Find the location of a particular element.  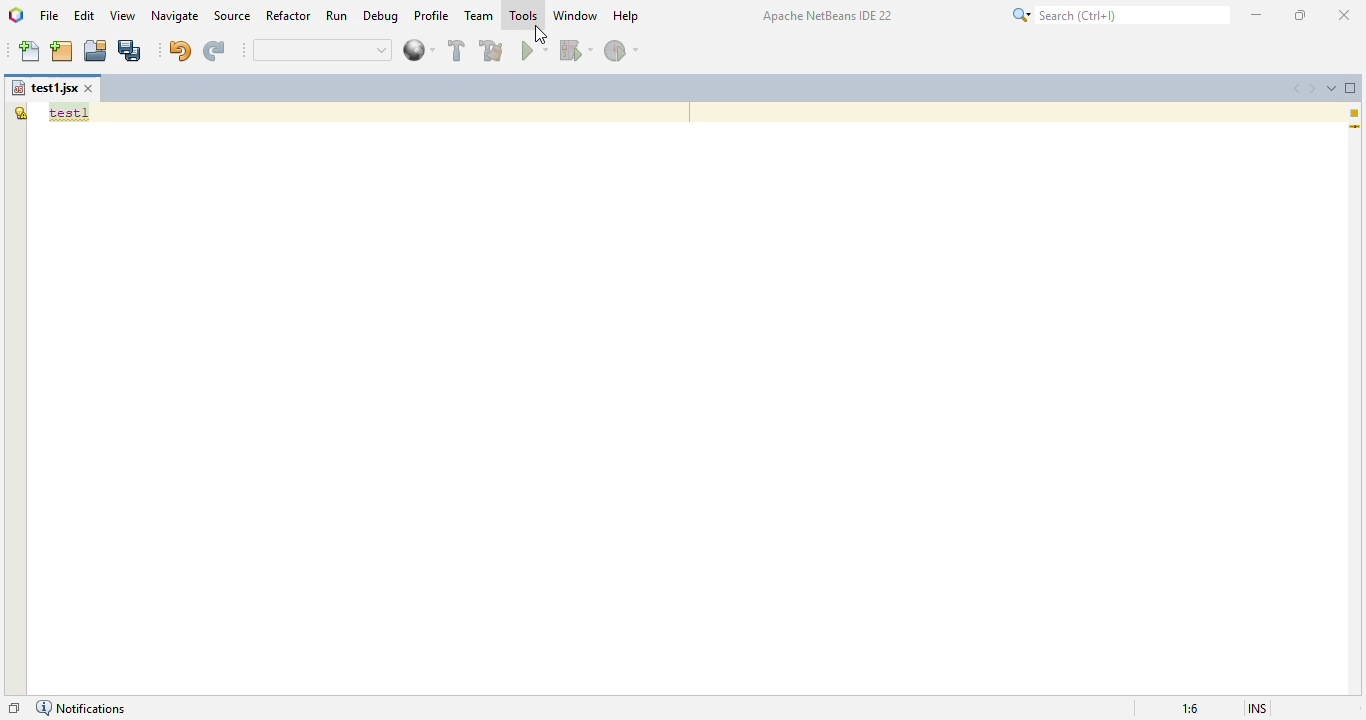

logo is located at coordinates (15, 14).